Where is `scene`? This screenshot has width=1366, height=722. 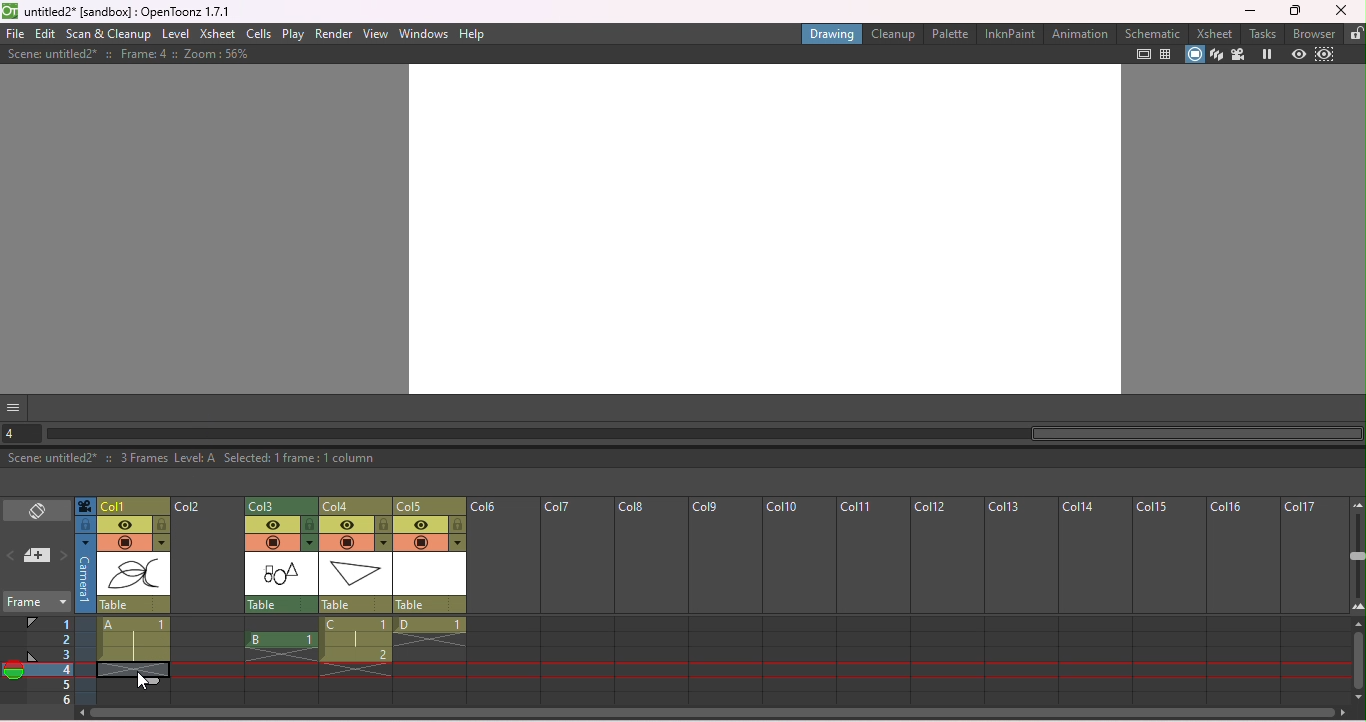
scene is located at coordinates (281, 574).